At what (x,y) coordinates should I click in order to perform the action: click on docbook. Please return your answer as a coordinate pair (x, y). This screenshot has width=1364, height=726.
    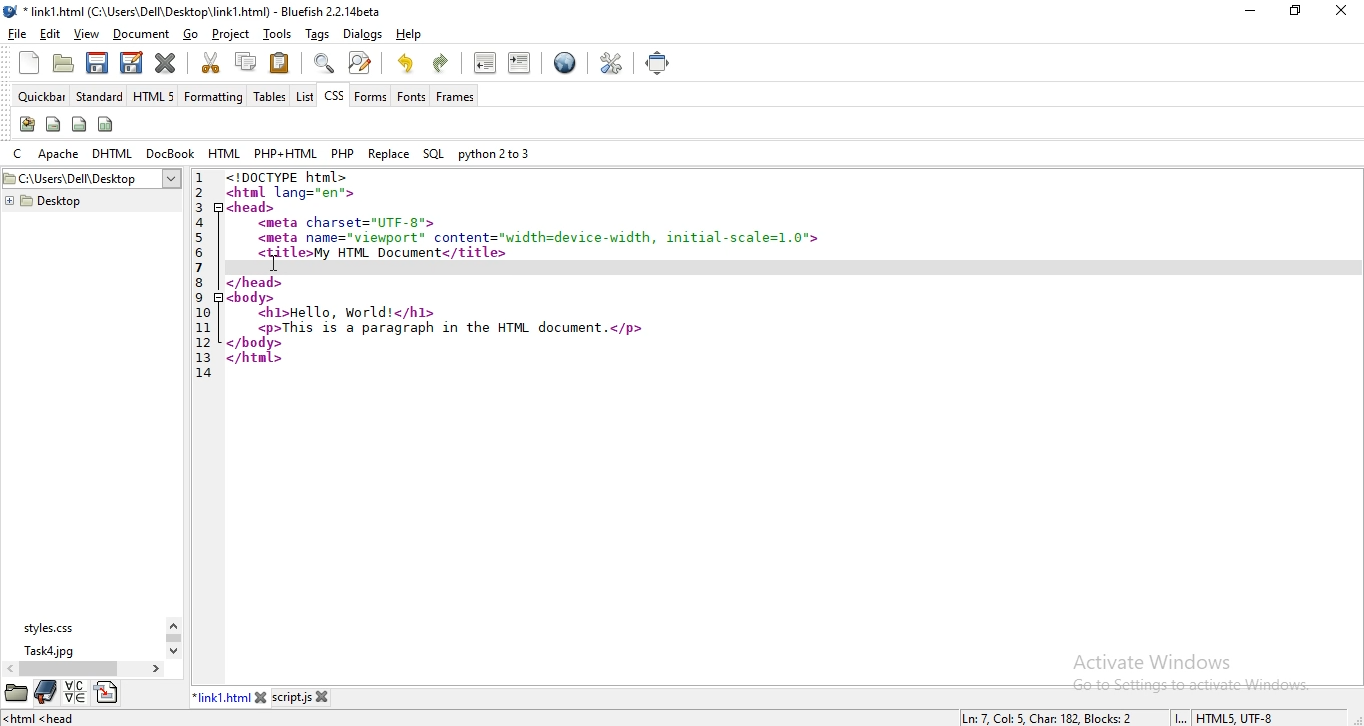
    Looking at the image, I should click on (169, 153).